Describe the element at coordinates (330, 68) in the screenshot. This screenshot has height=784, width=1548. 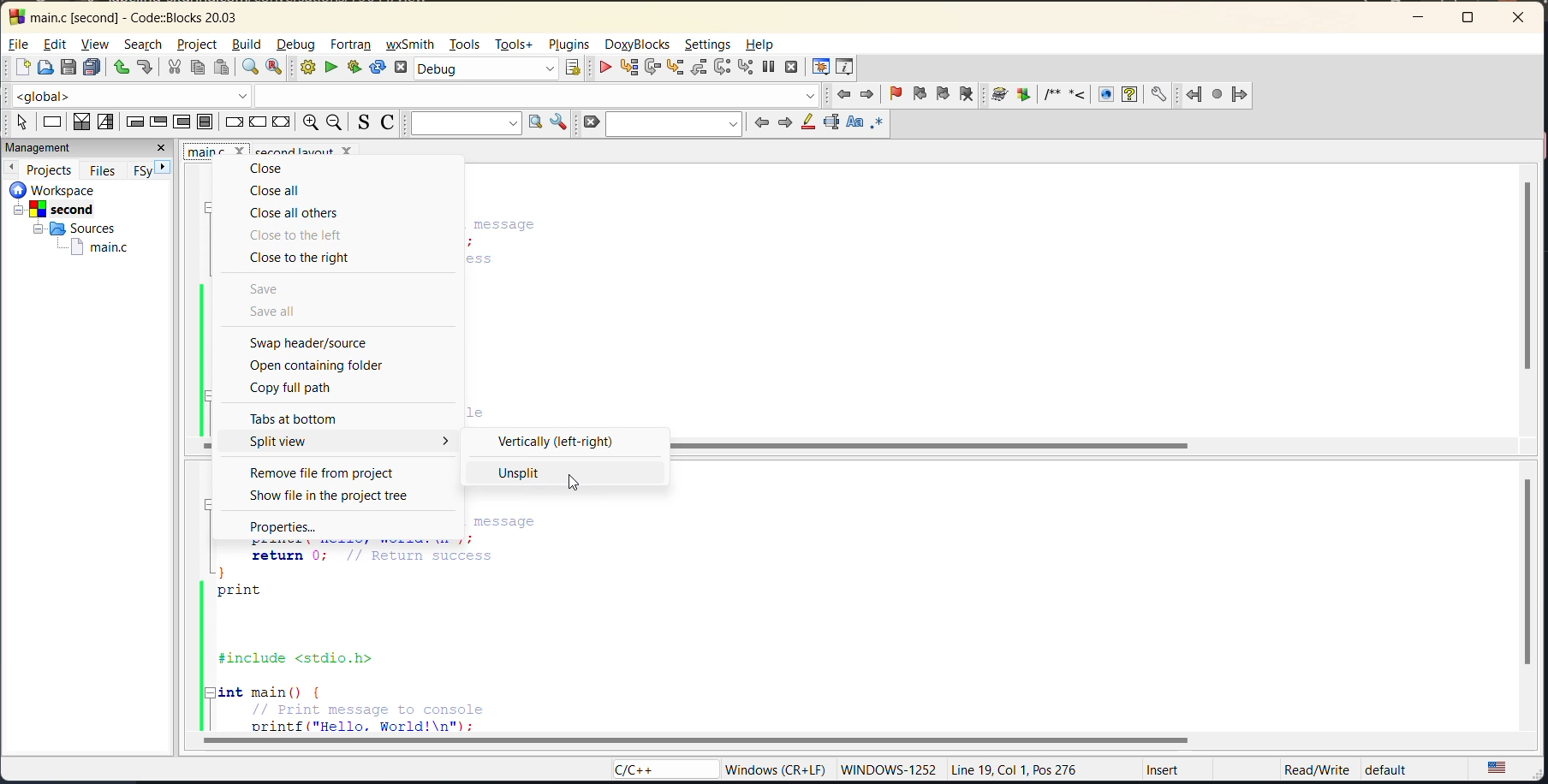
I see `run` at that location.